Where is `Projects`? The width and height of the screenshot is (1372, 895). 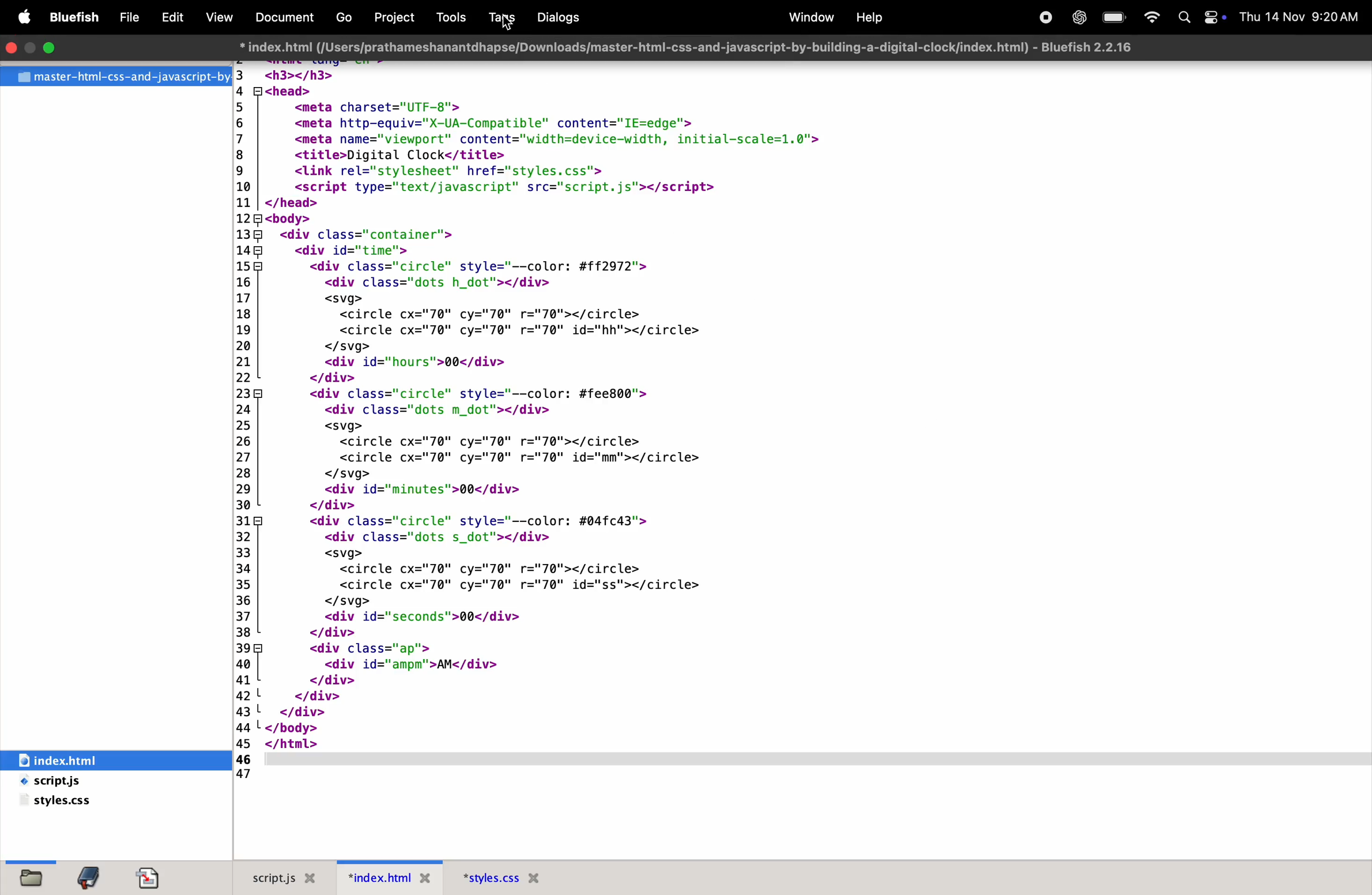
Projects is located at coordinates (399, 16).